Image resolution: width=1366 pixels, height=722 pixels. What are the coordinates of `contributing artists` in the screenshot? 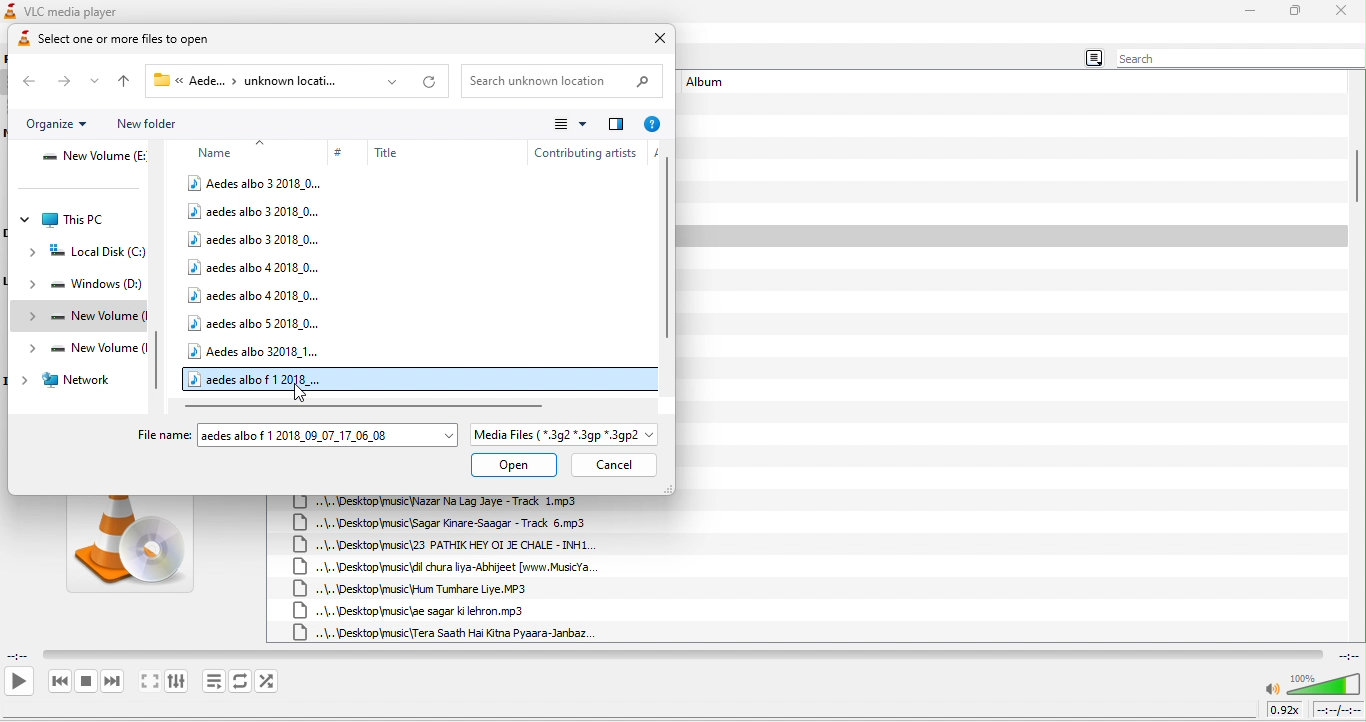 It's located at (584, 151).